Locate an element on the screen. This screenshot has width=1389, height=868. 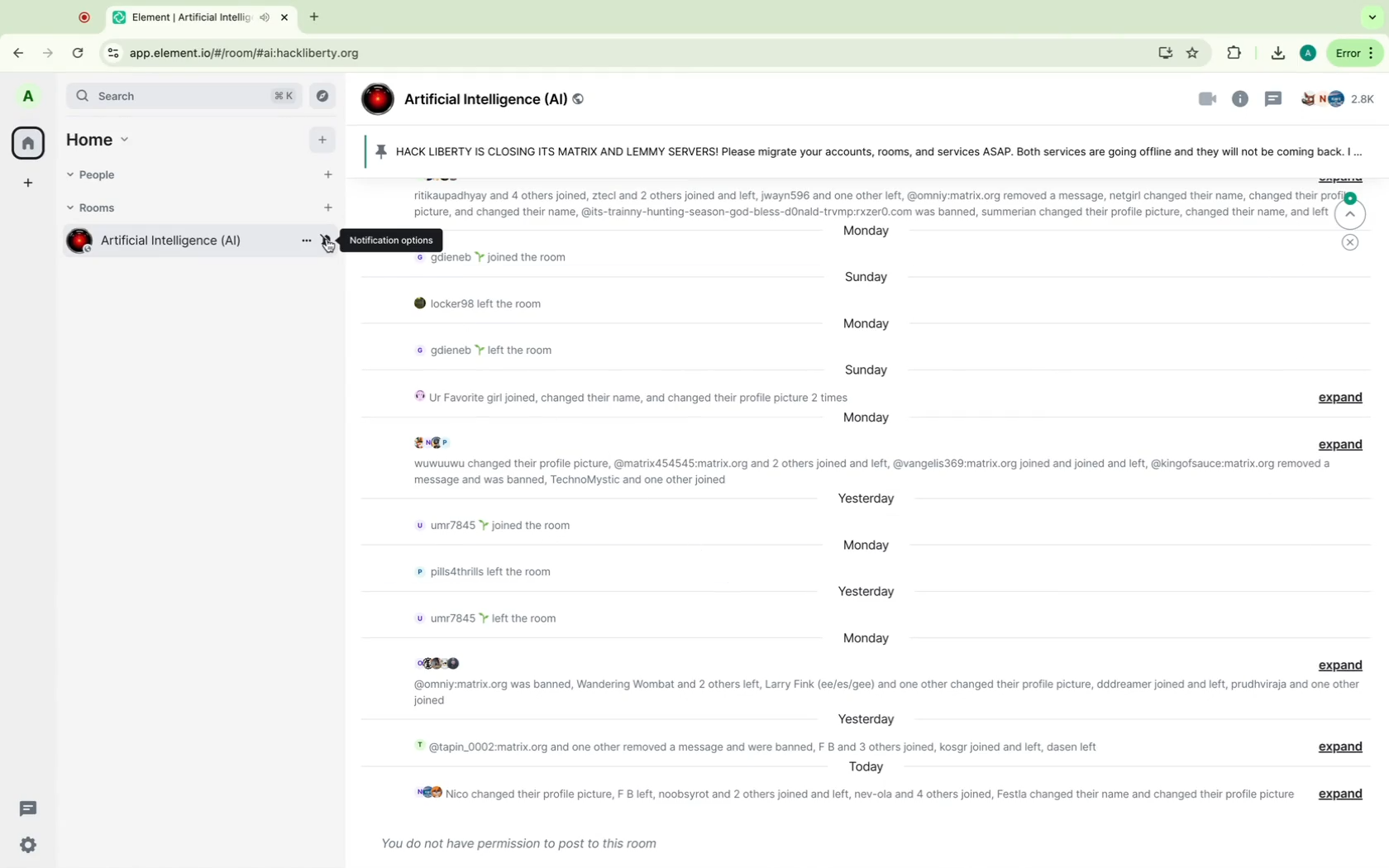
day is located at coordinates (867, 544).